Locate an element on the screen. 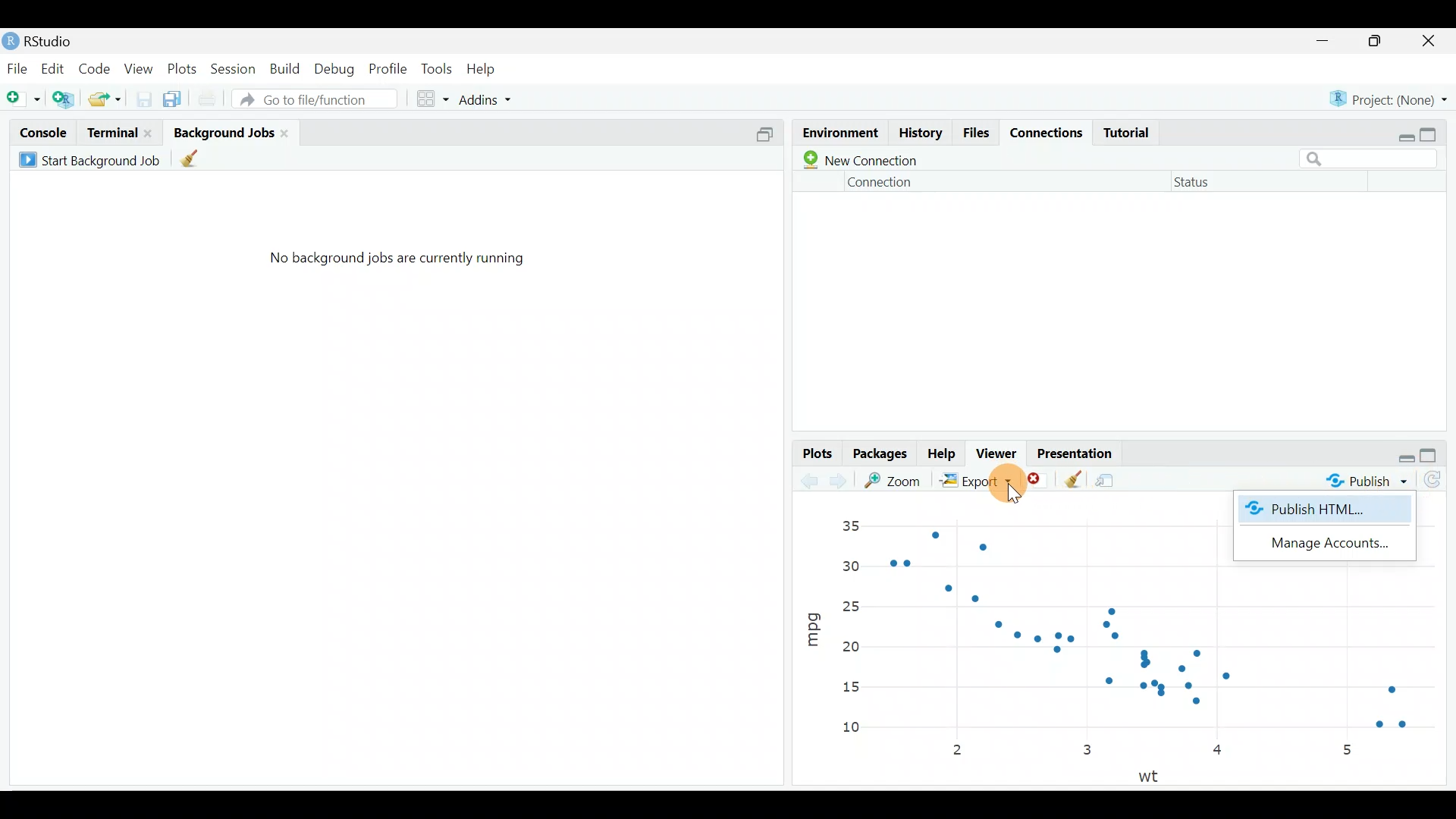 The image size is (1456, 819). Scatter Plot chart is located at coordinates (1185, 660).